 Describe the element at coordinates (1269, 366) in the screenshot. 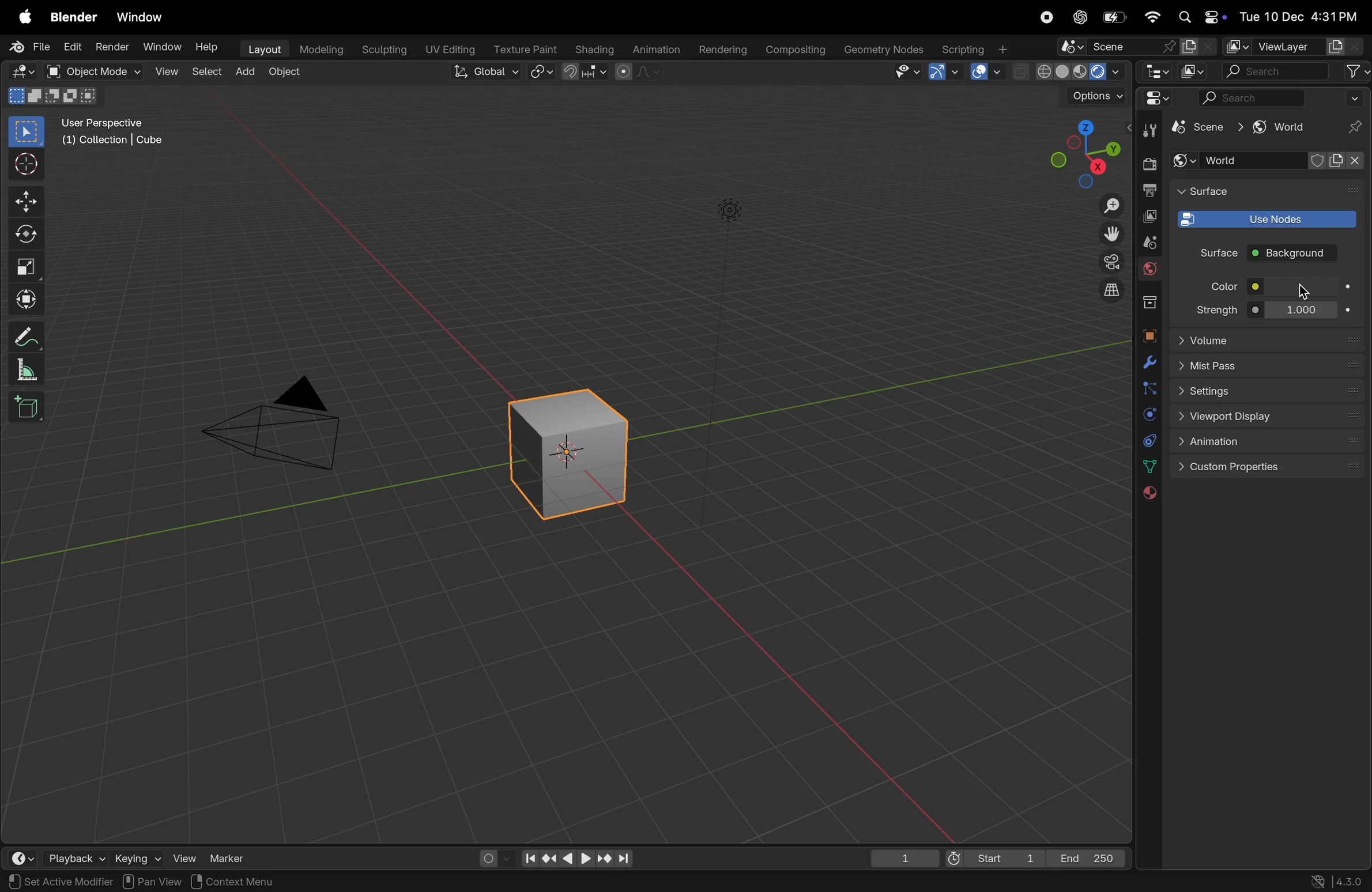

I see `mist pass` at that location.